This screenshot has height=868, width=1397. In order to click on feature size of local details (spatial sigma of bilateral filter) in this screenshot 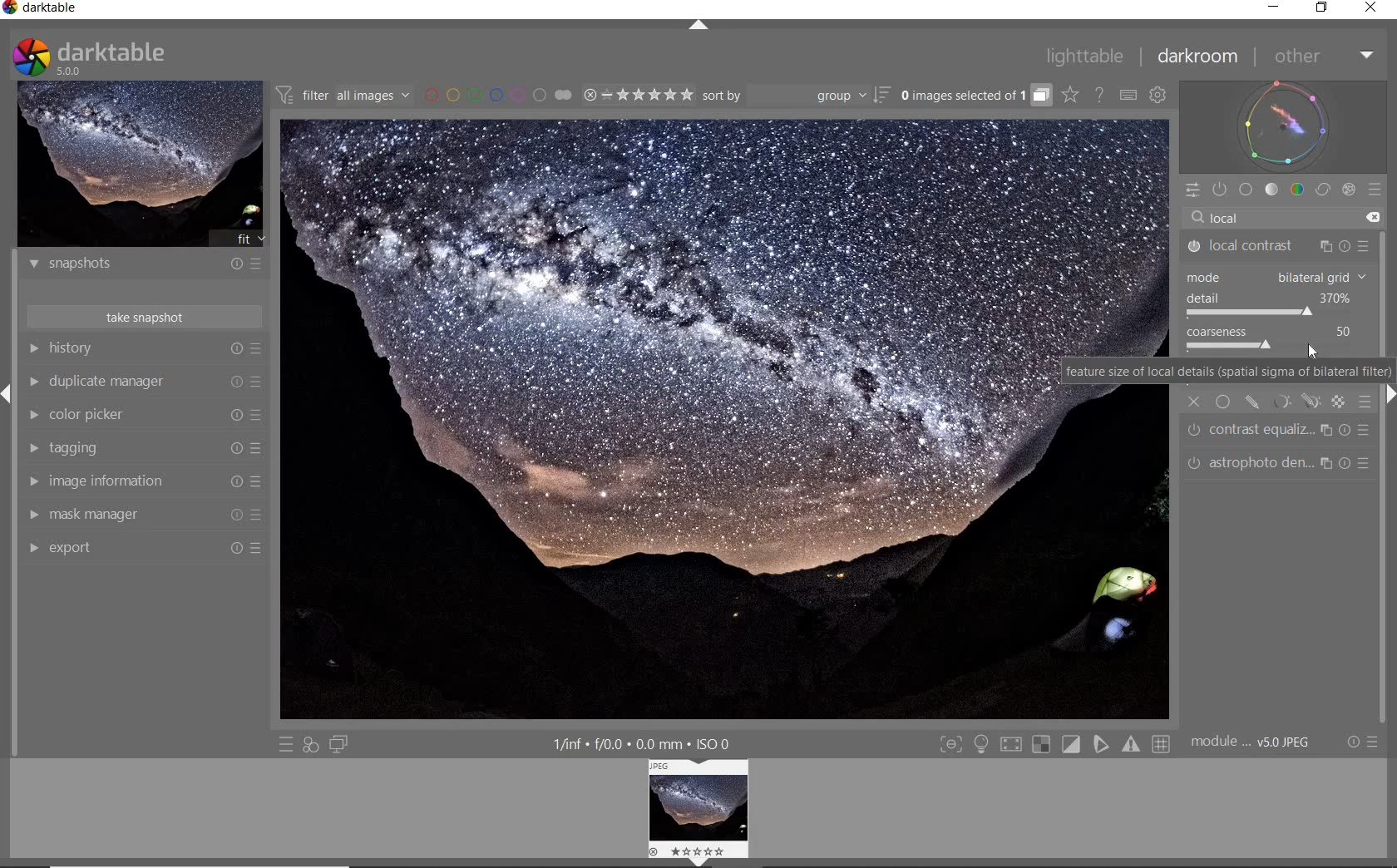, I will do `click(1225, 372)`.